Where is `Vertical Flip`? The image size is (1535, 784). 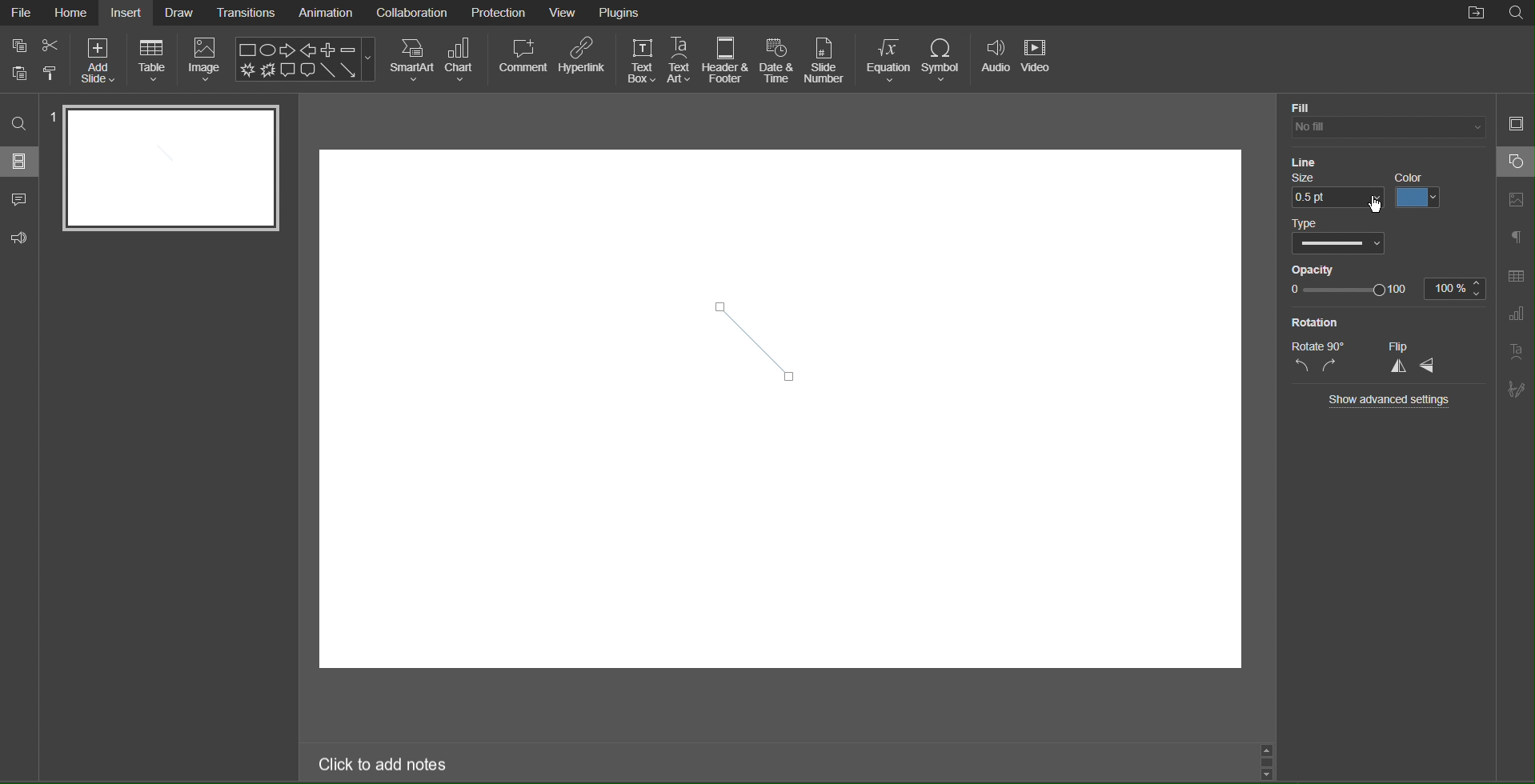
Vertical Flip is located at coordinates (1398, 368).